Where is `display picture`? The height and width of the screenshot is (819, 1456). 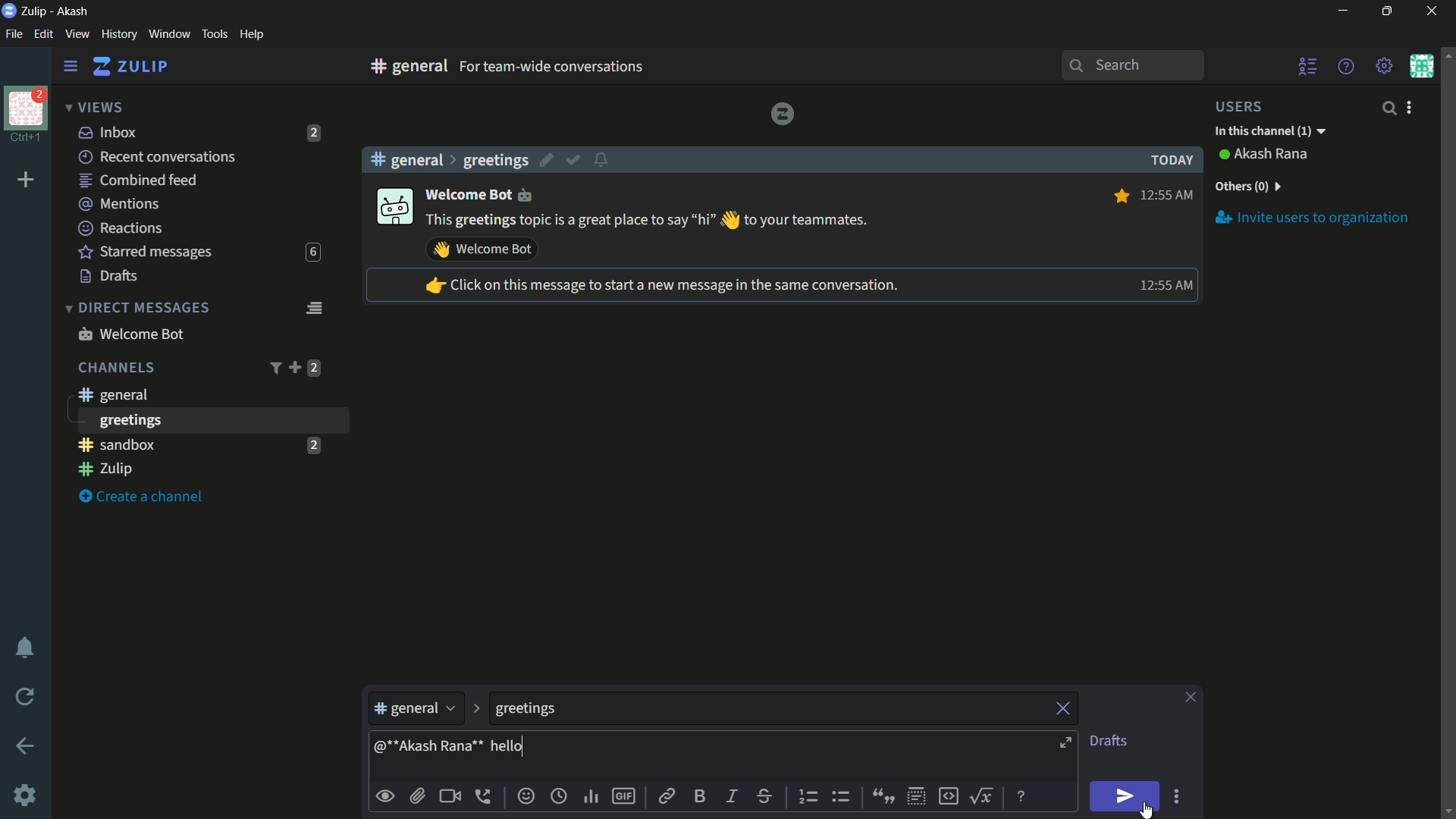 display picture is located at coordinates (393, 208).